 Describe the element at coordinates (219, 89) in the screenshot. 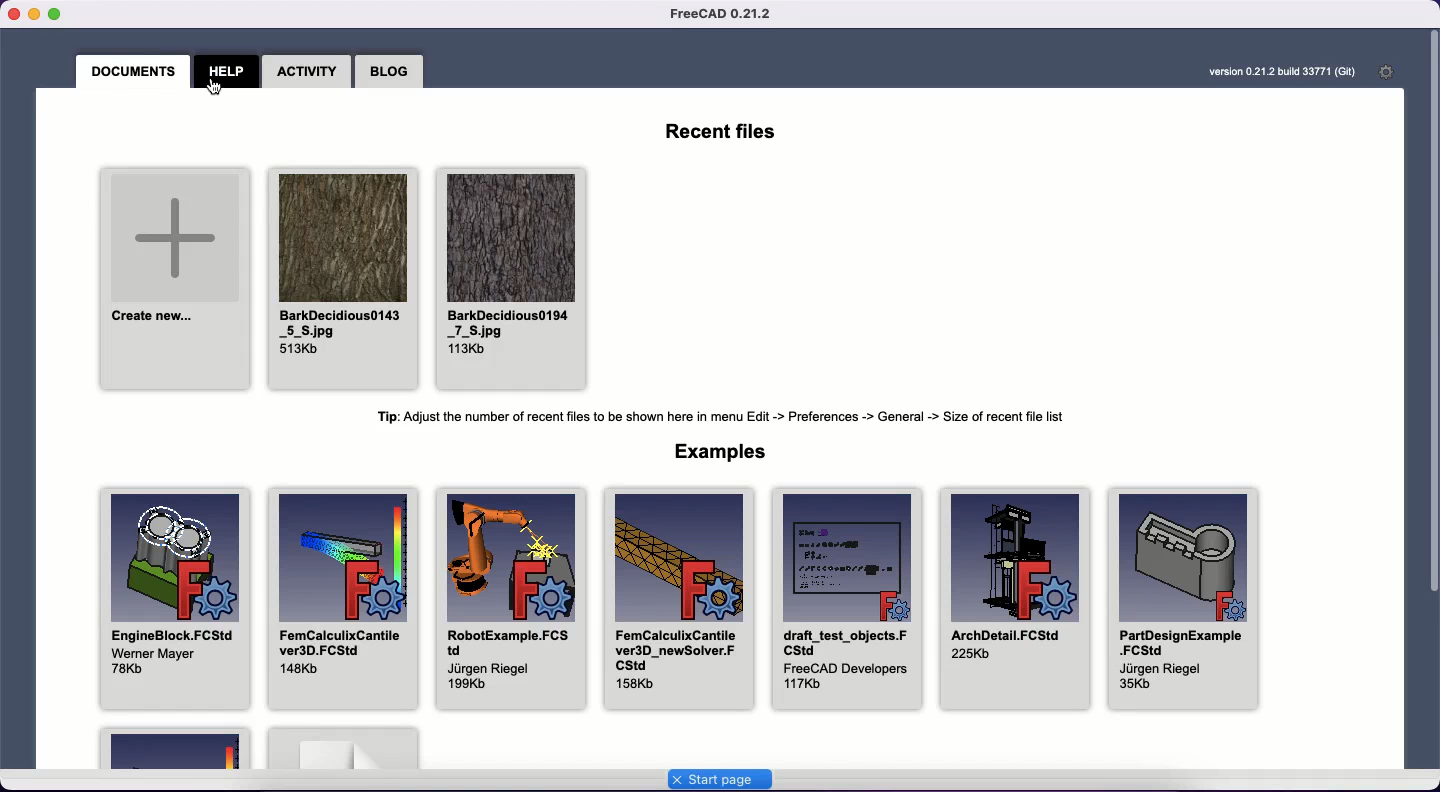

I see `cursor` at that location.